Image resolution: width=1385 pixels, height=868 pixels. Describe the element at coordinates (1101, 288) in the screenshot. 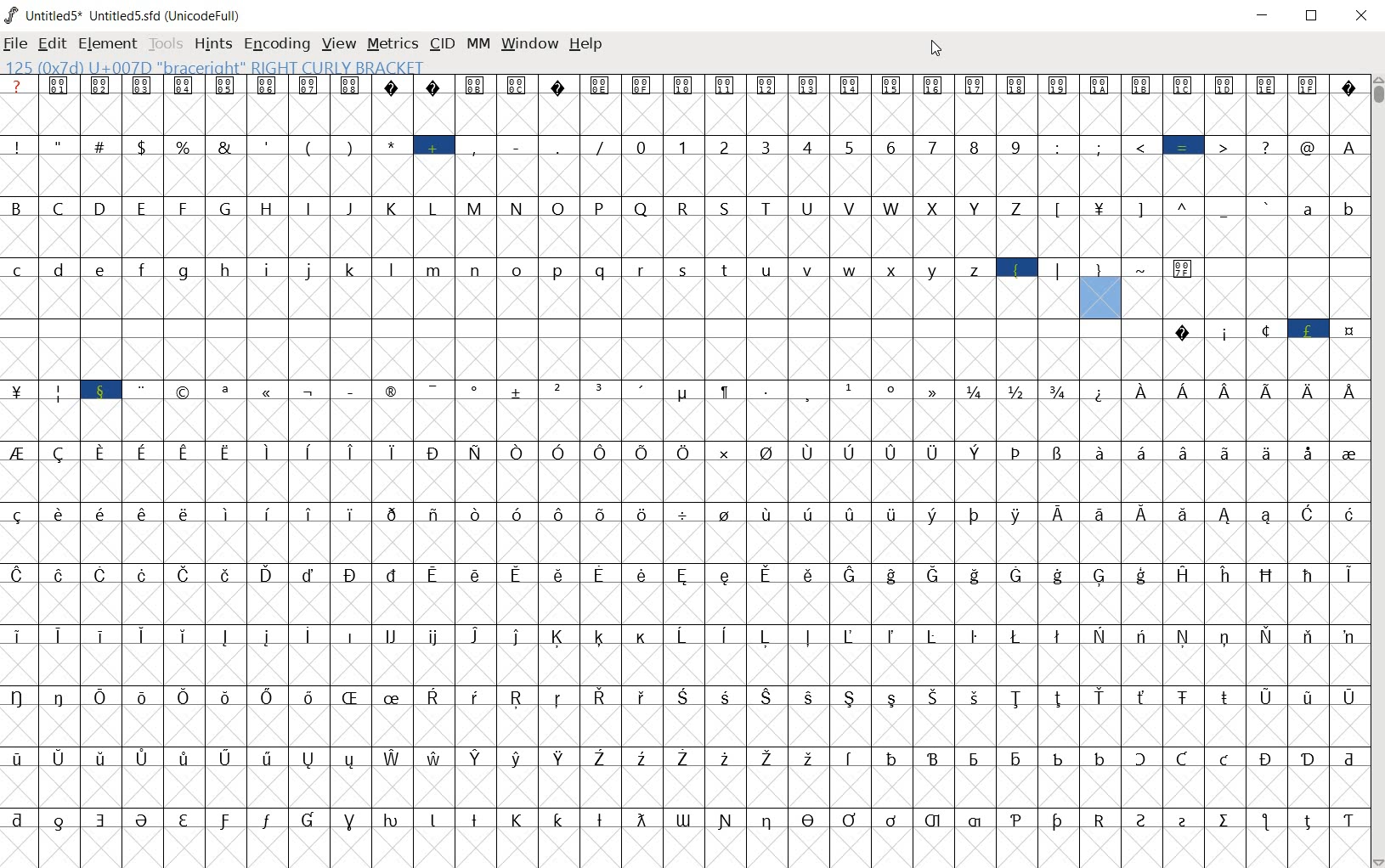

I see `125 (0X7b) U+007D "braceright" RIGHT CURLY BRACKET` at that location.